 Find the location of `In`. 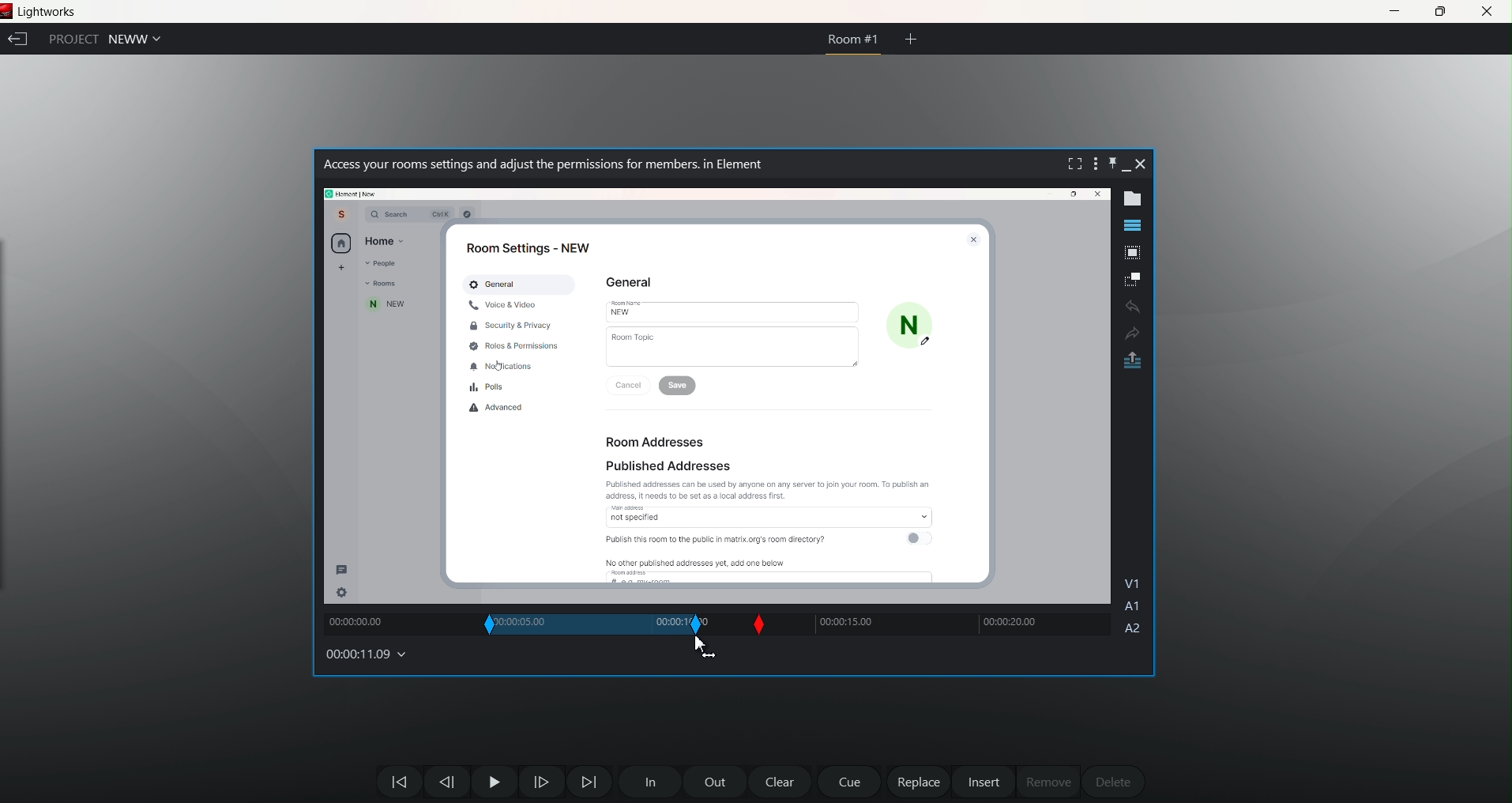

In is located at coordinates (649, 780).